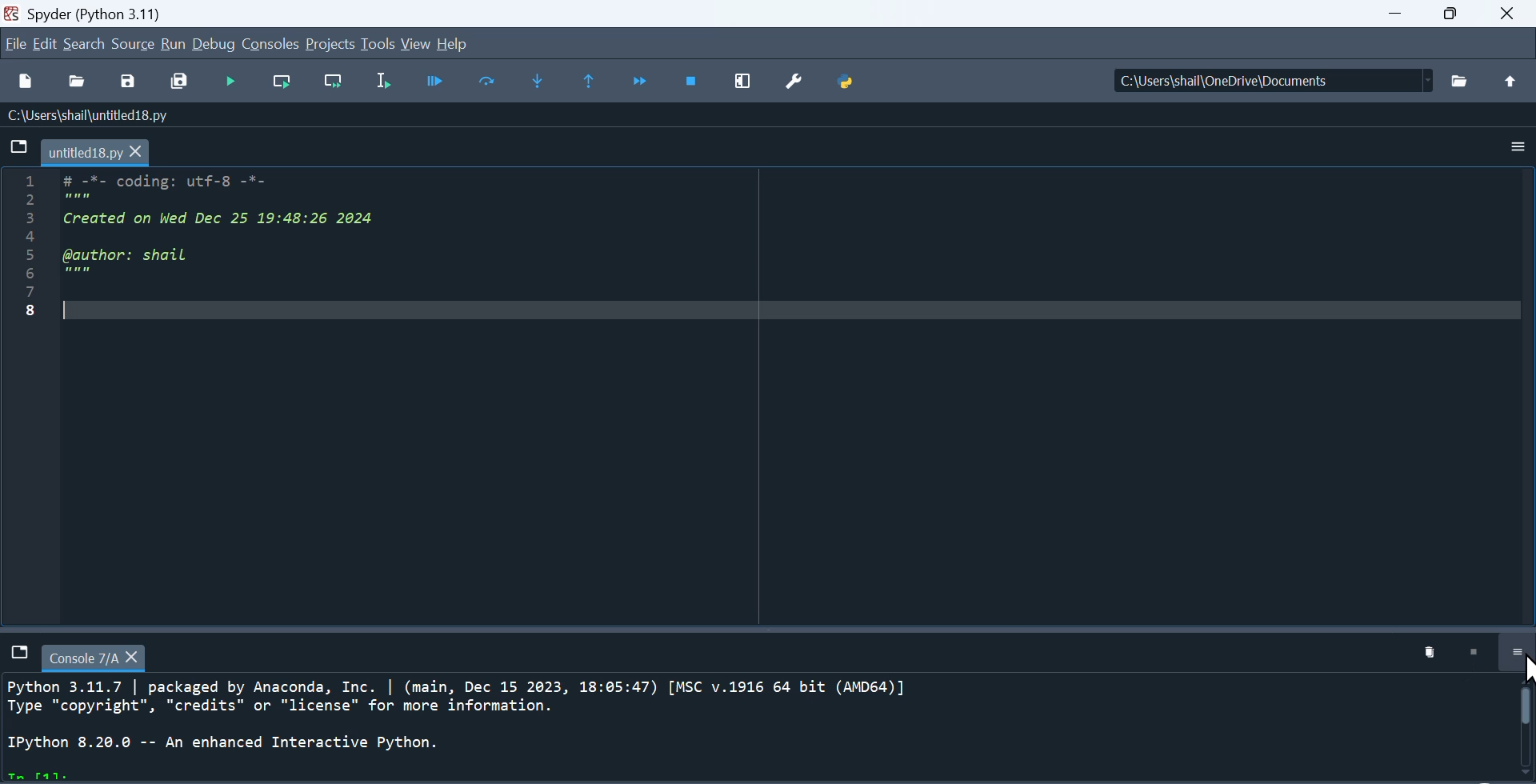 Image resolution: width=1536 pixels, height=784 pixels. What do you see at coordinates (131, 46) in the screenshot?
I see `source` at bounding box center [131, 46].